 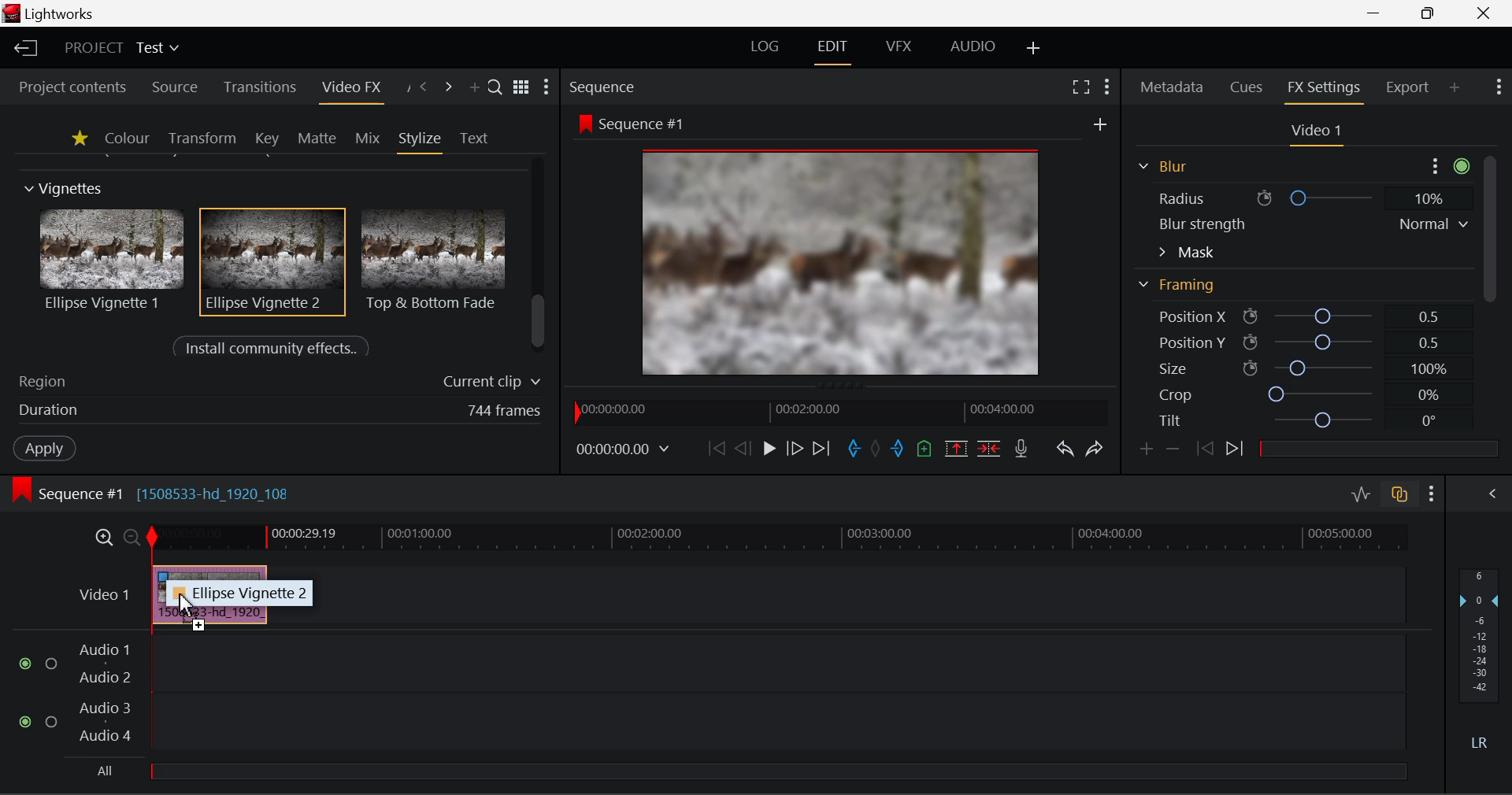 I want to click on Back to Homepage, so click(x=23, y=49).